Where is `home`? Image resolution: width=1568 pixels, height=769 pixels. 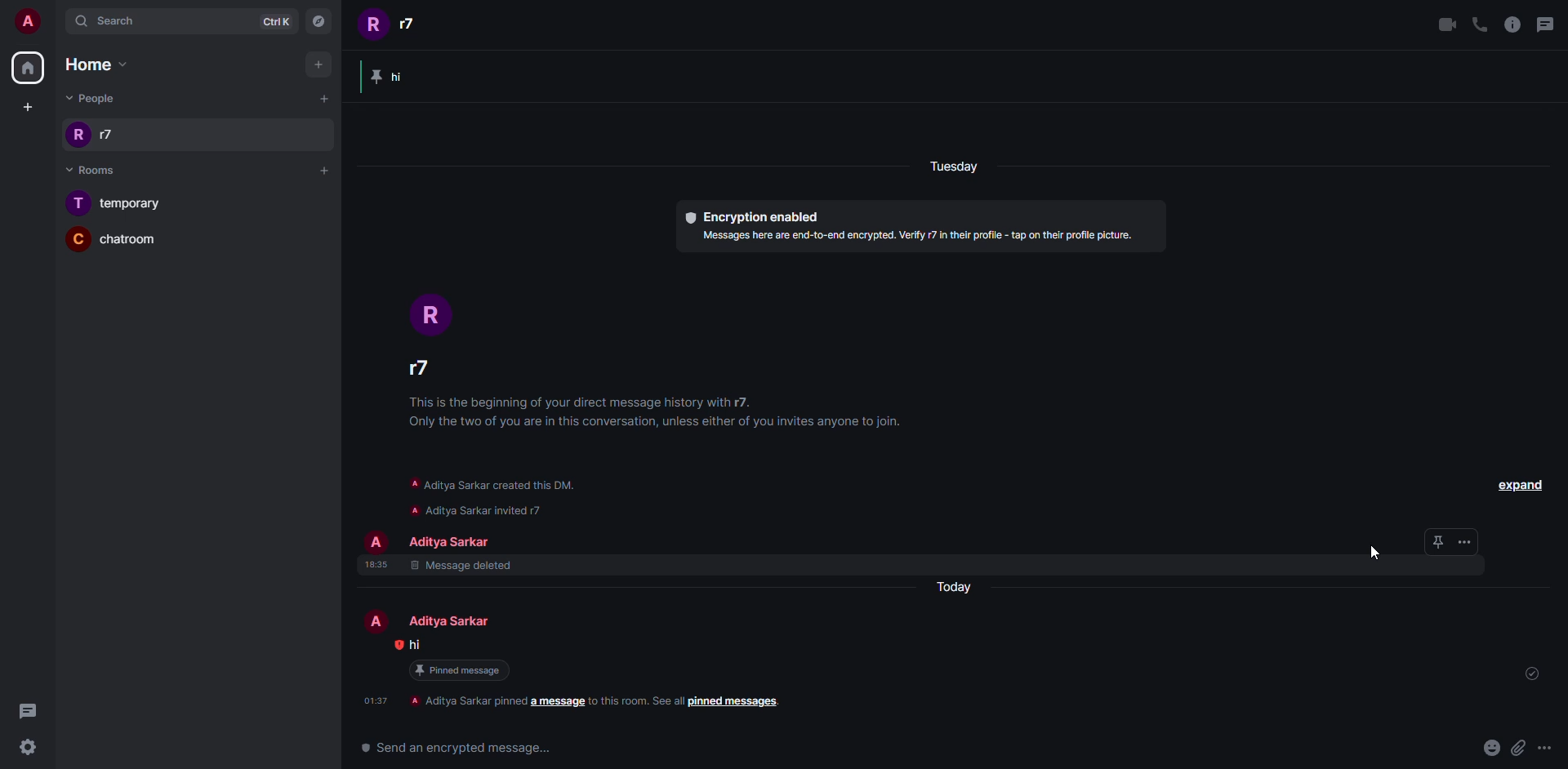 home is located at coordinates (96, 65).